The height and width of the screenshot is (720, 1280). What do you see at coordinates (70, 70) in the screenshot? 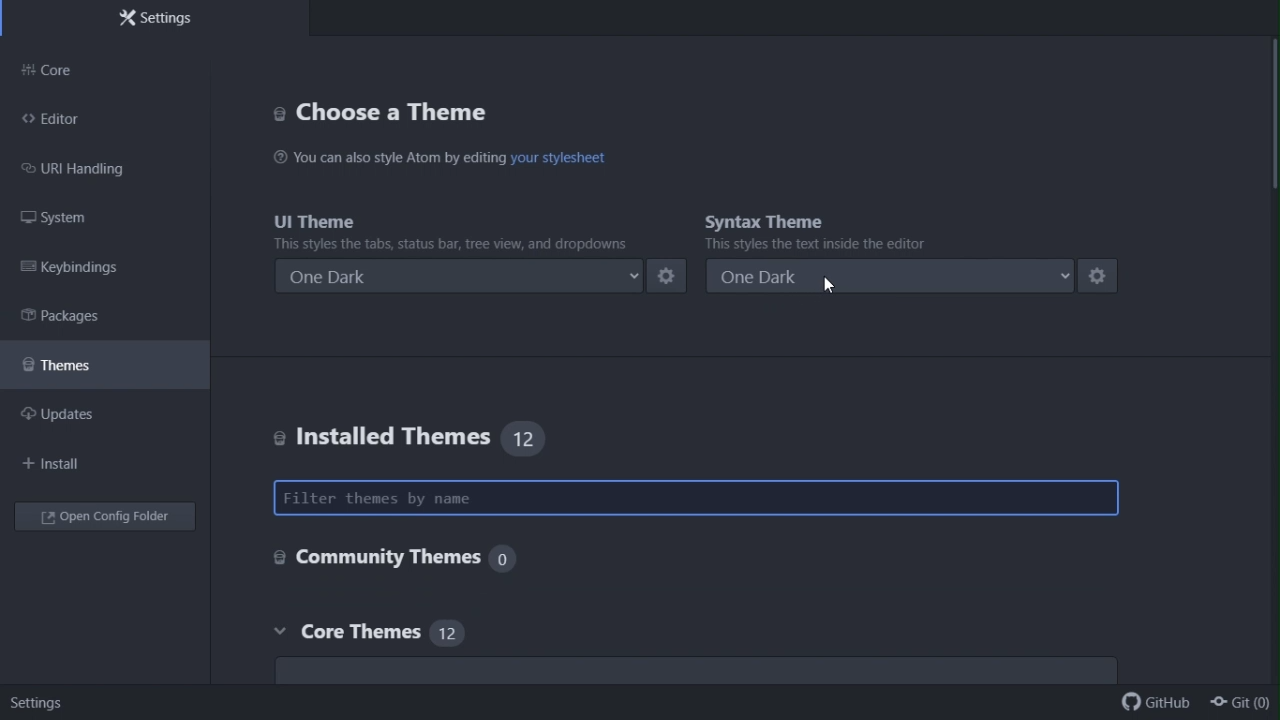
I see `Core` at bounding box center [70, 70].